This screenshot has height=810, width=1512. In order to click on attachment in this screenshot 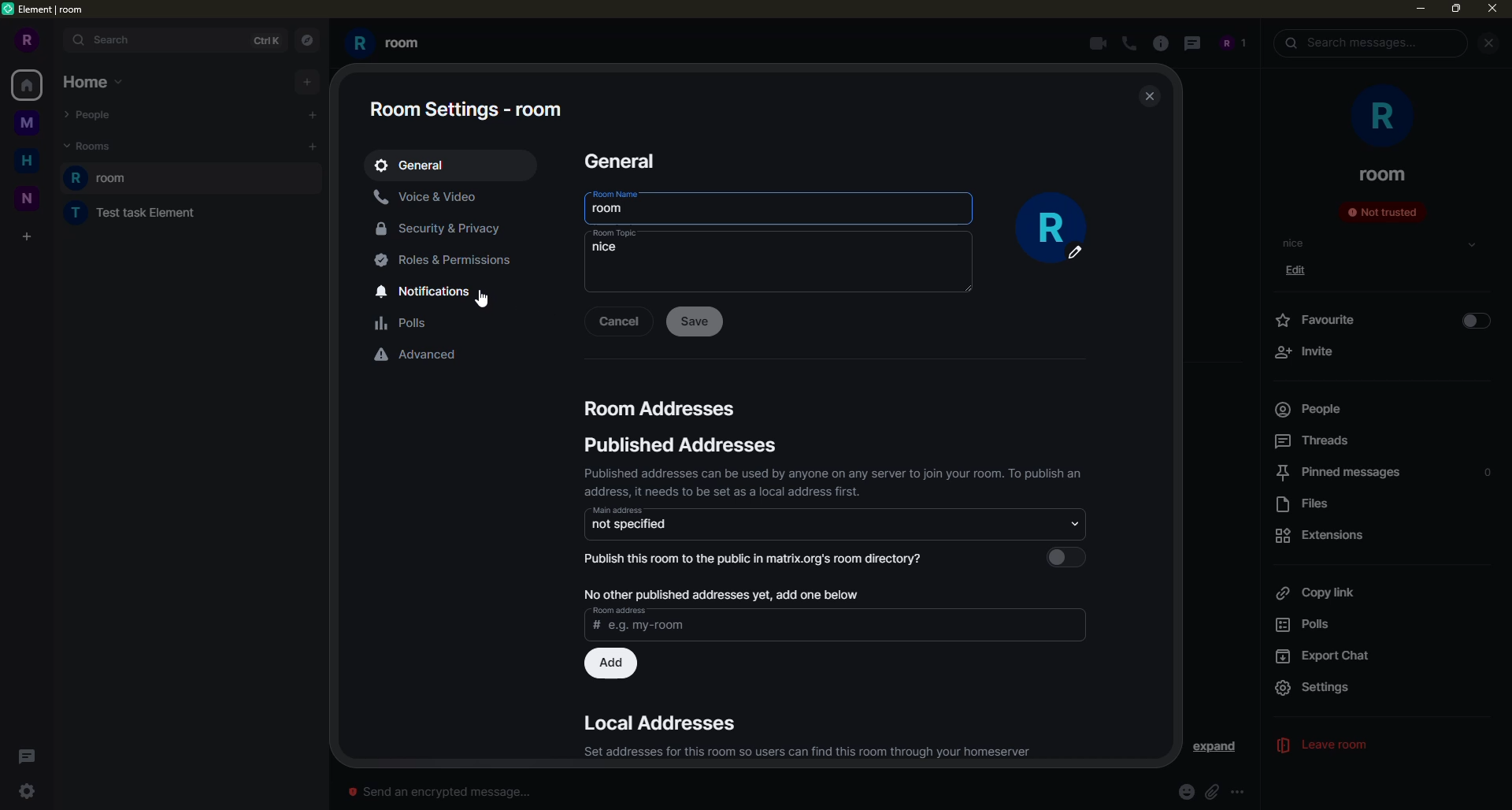, I will do `click(1214, 791)`.